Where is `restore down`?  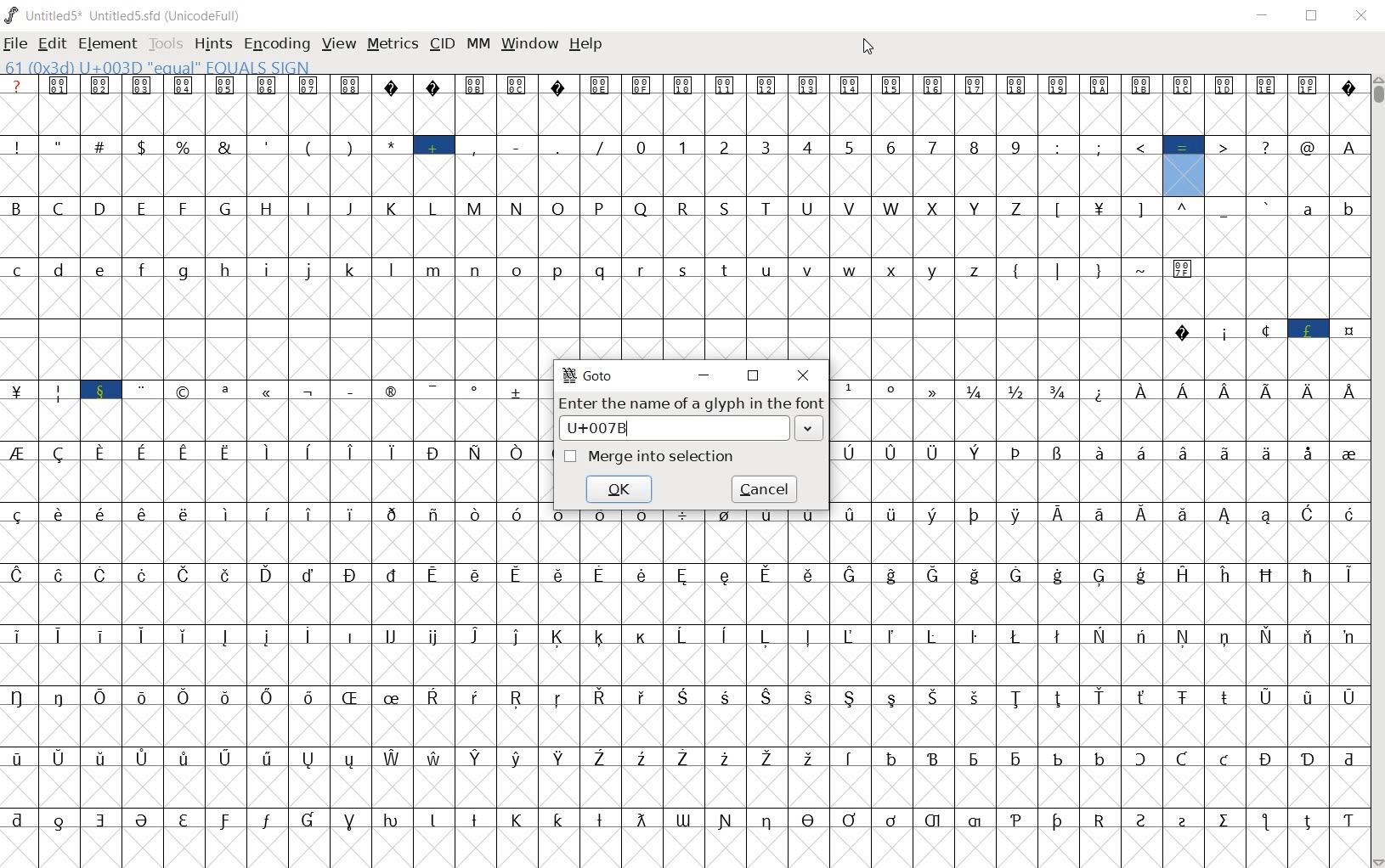 restore down is located at coordinates (1314, 17).